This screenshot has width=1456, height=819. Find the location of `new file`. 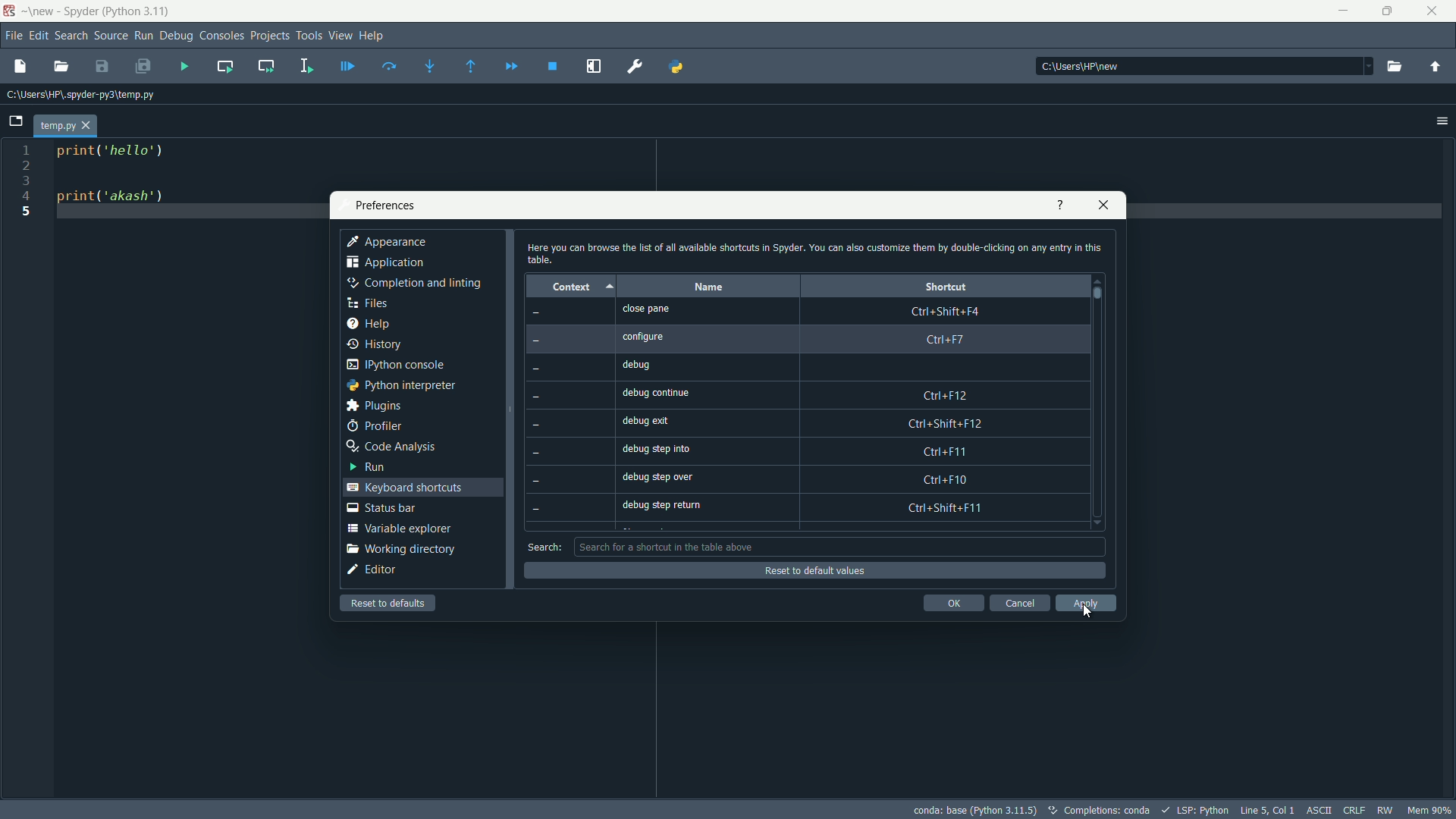

new file is located at coordinates (20, 67).